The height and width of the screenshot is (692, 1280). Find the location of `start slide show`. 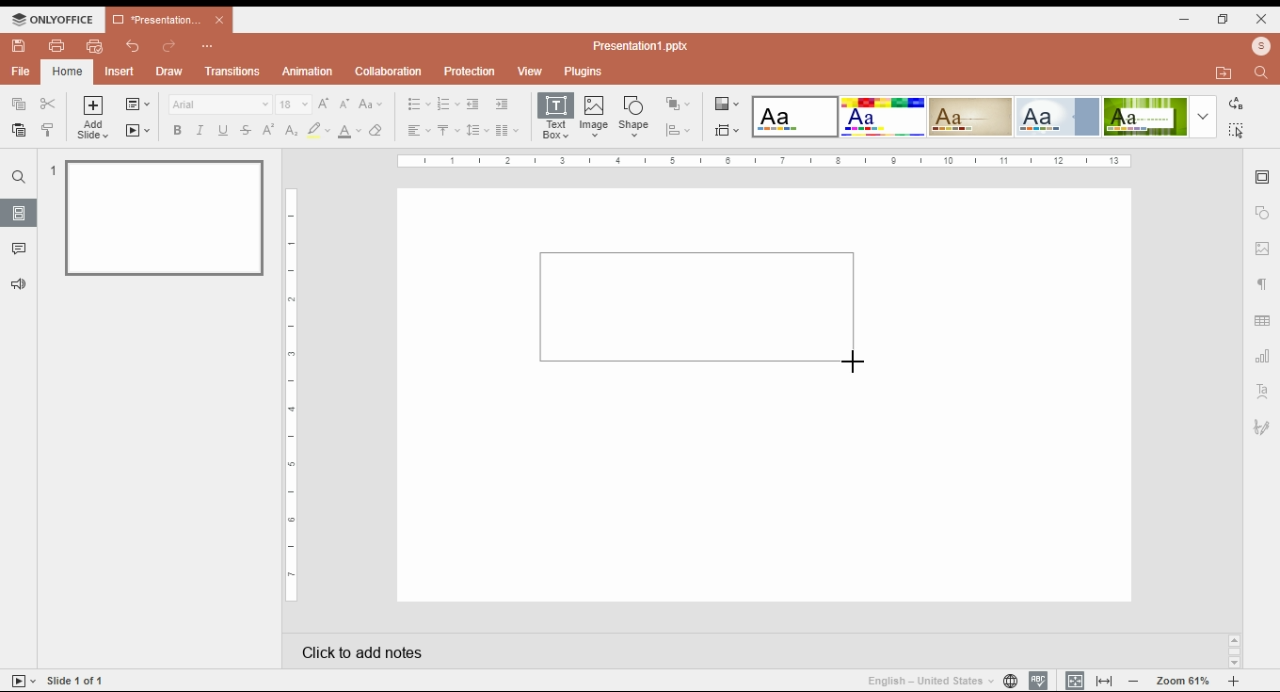

start slide show is located at coordinates (138, 131).